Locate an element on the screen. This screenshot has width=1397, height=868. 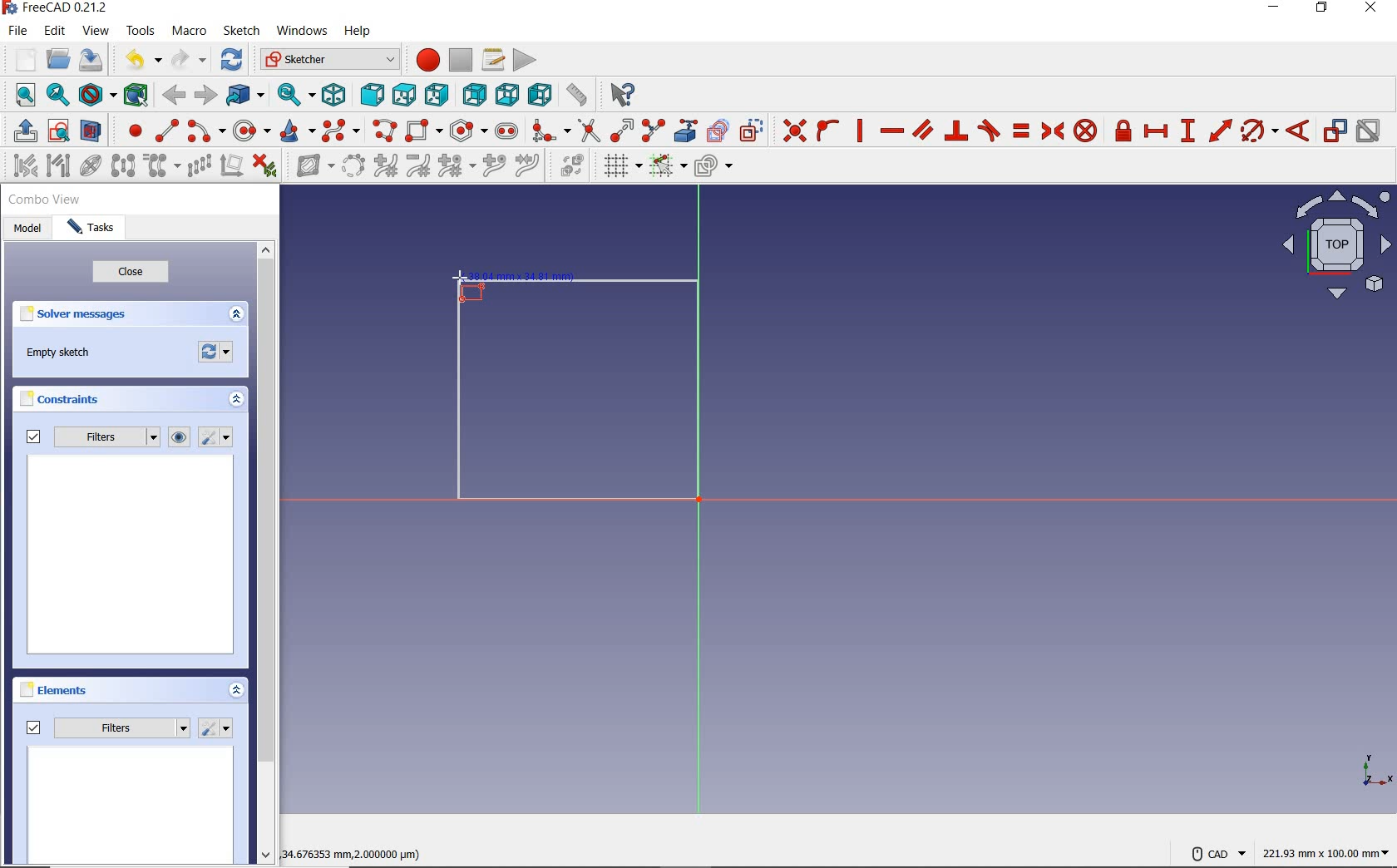
elements is located at coordinates (84, 692).